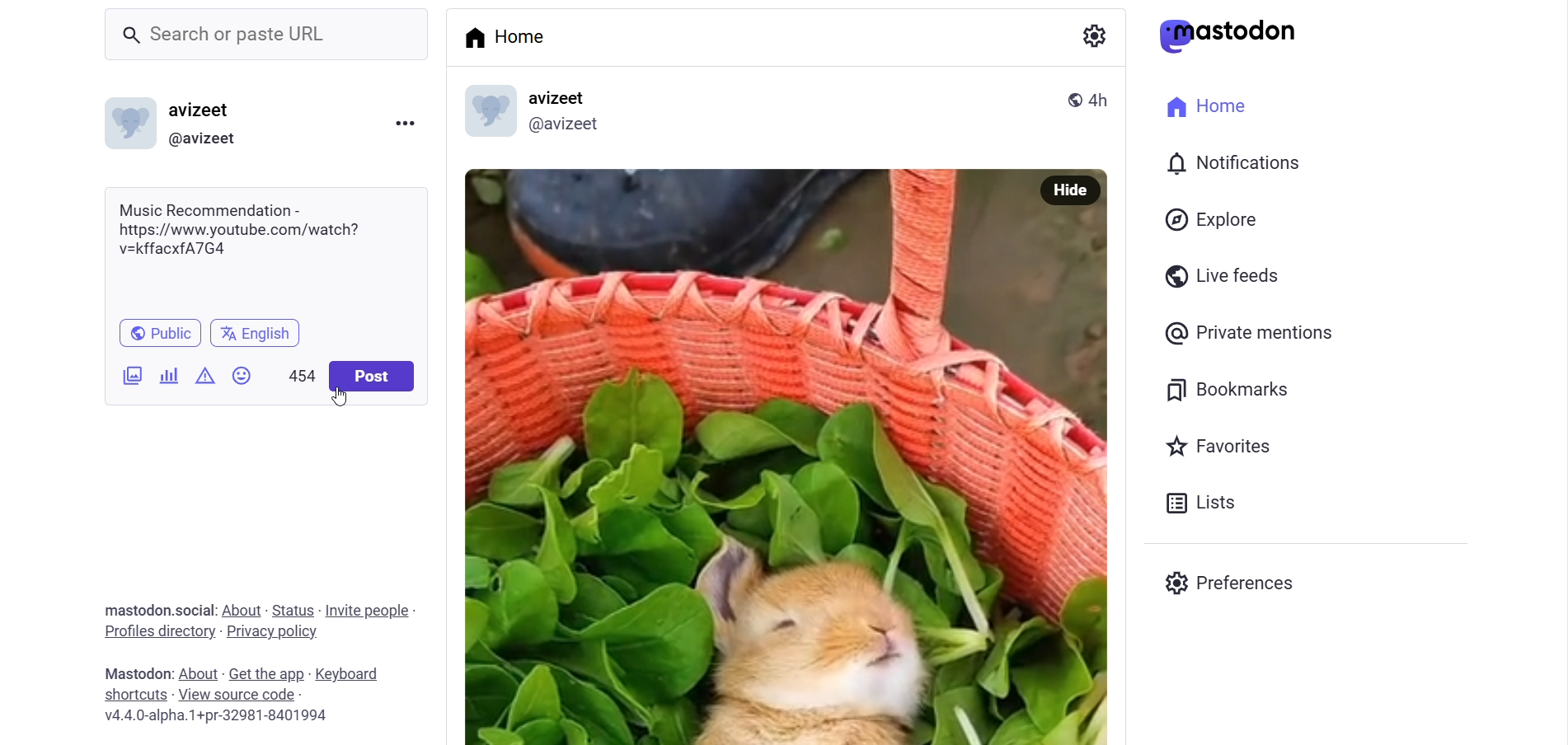  I want to click on mastodon, so click(135, 673).